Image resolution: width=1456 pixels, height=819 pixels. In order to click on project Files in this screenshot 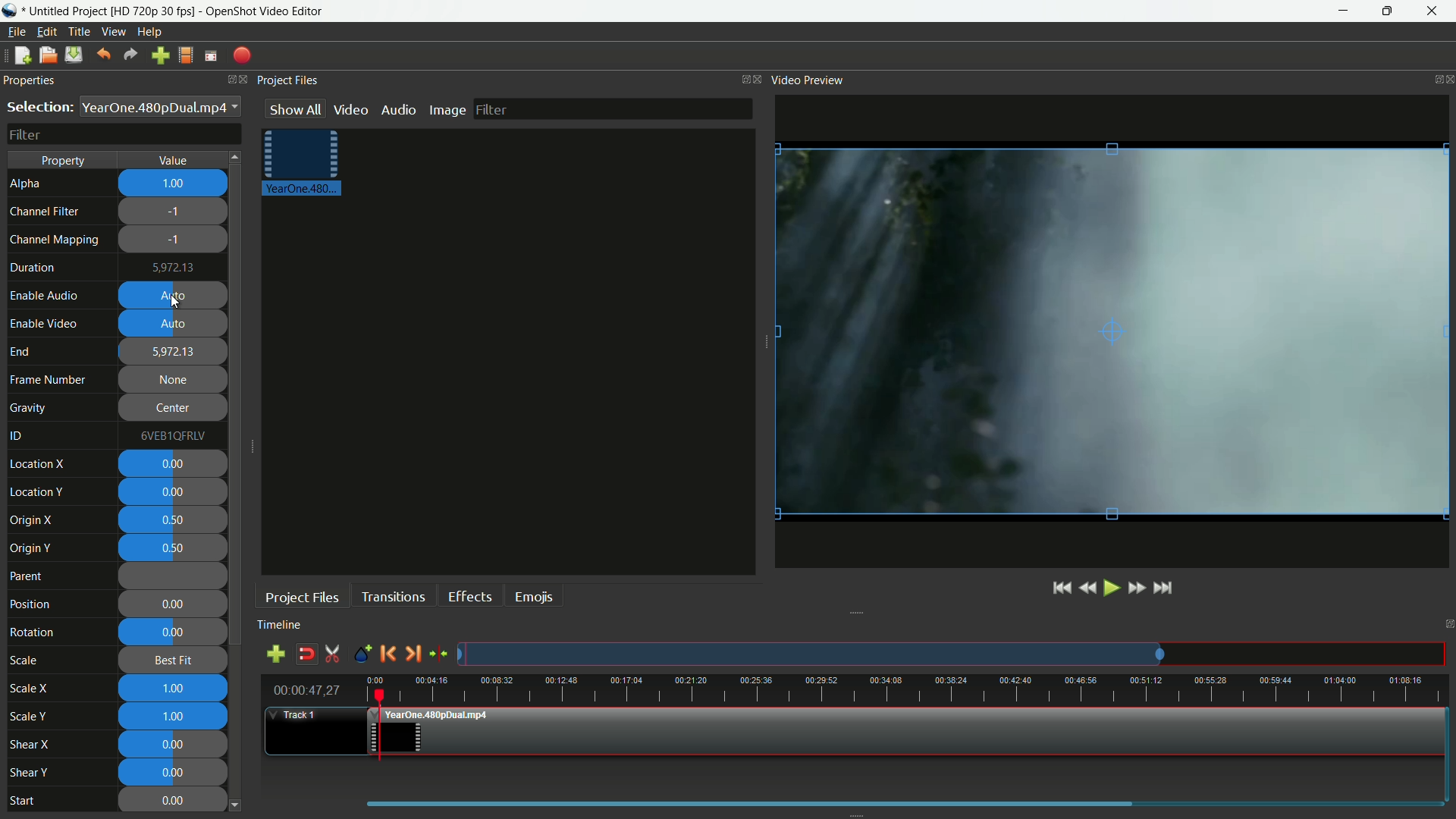, I will do `click(285, 82)`.